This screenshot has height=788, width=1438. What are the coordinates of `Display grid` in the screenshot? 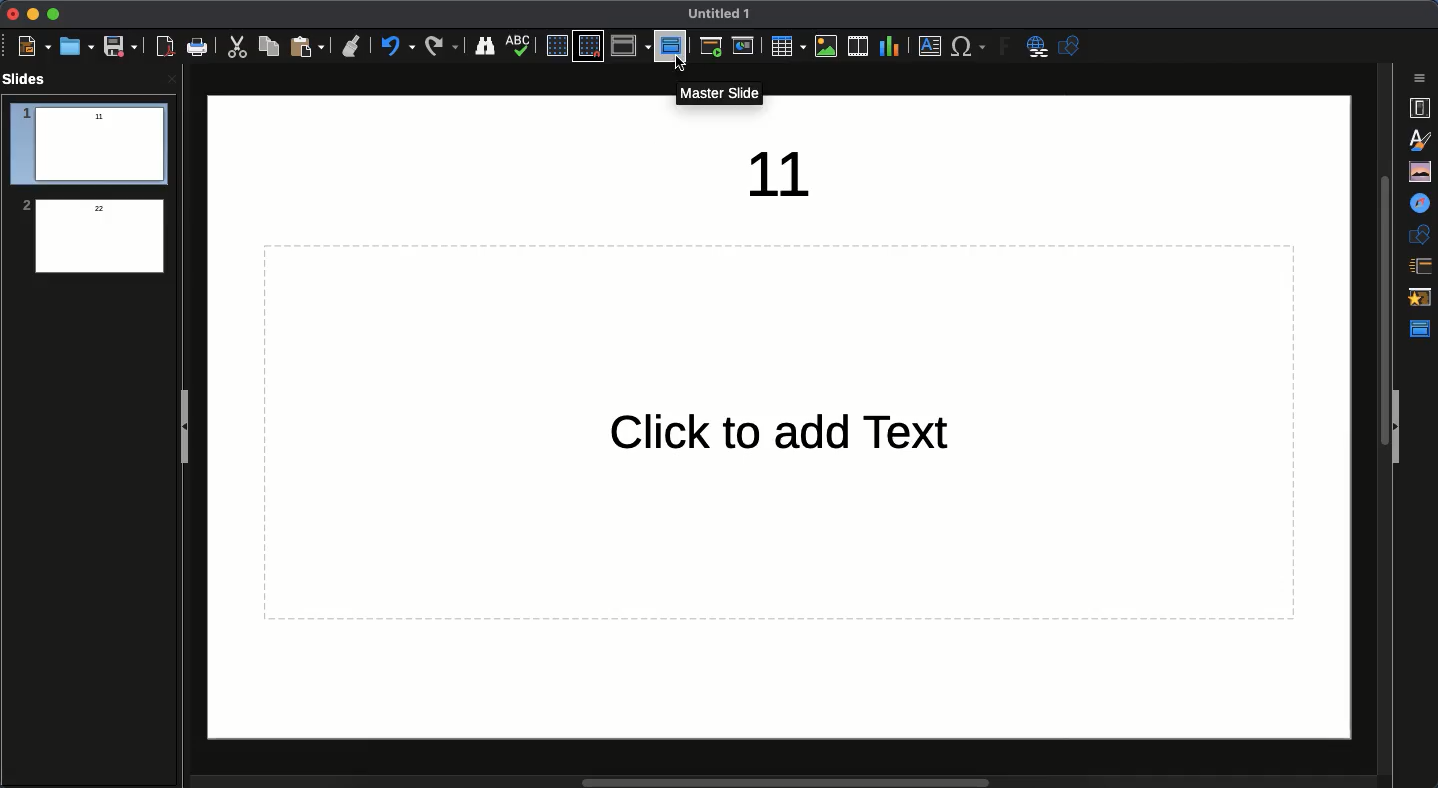 It's located at (555, 45).